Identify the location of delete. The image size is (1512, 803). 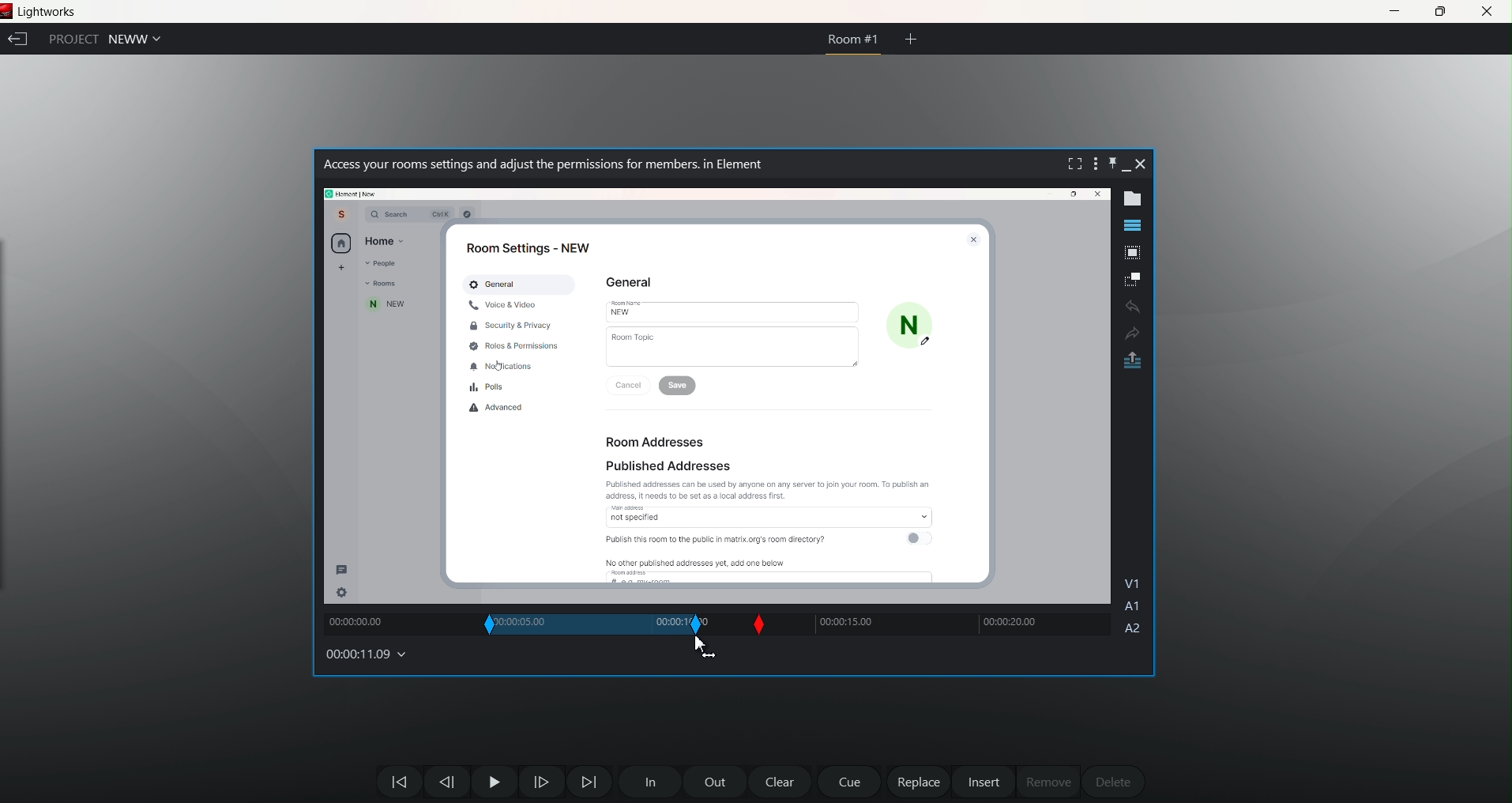
(1113, 781).